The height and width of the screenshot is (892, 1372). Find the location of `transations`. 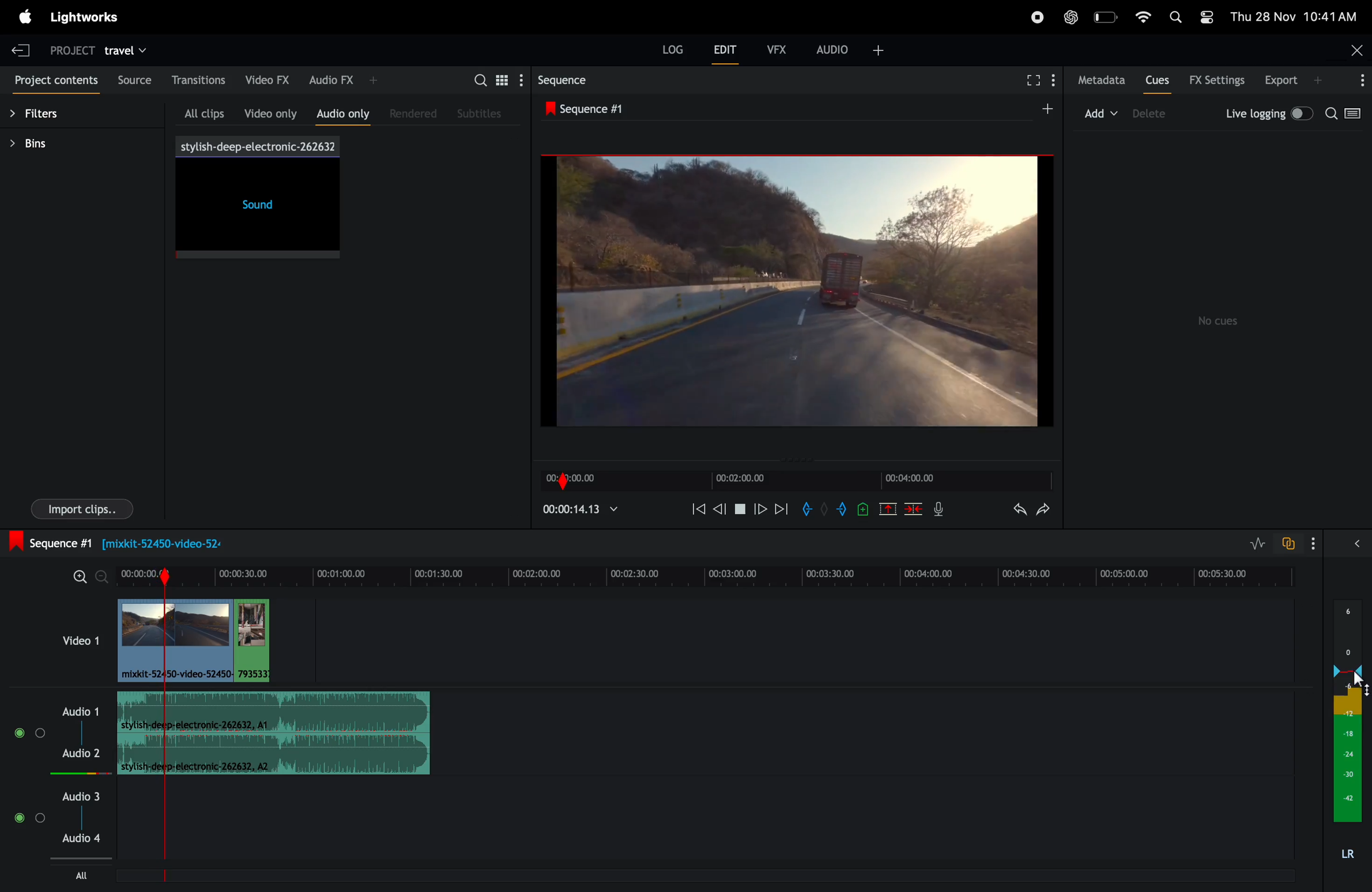

transations is located at coordinates (197, 79).